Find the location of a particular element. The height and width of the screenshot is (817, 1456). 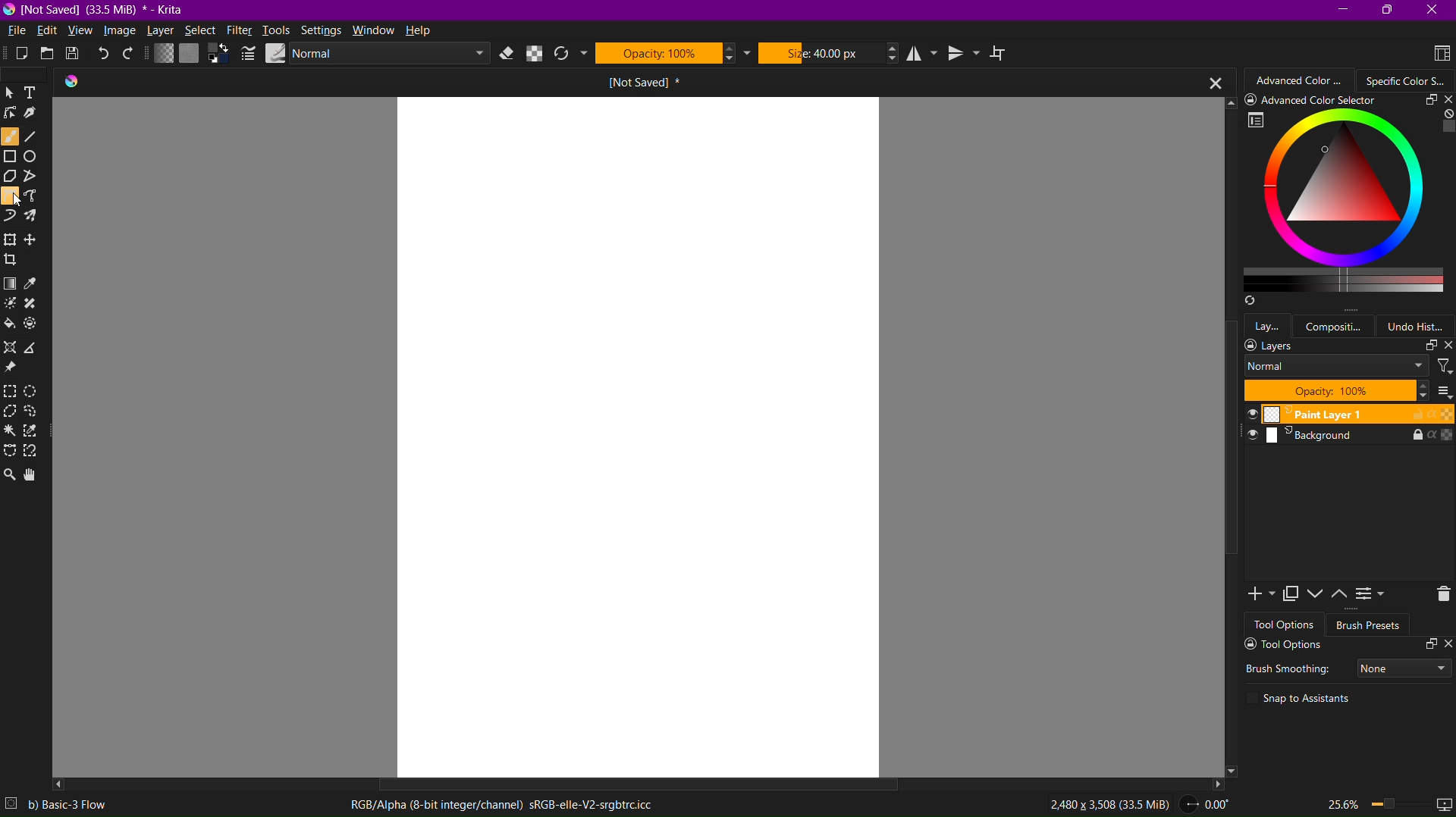

Paint Layer 1 is located at coordinates (1343, 415).